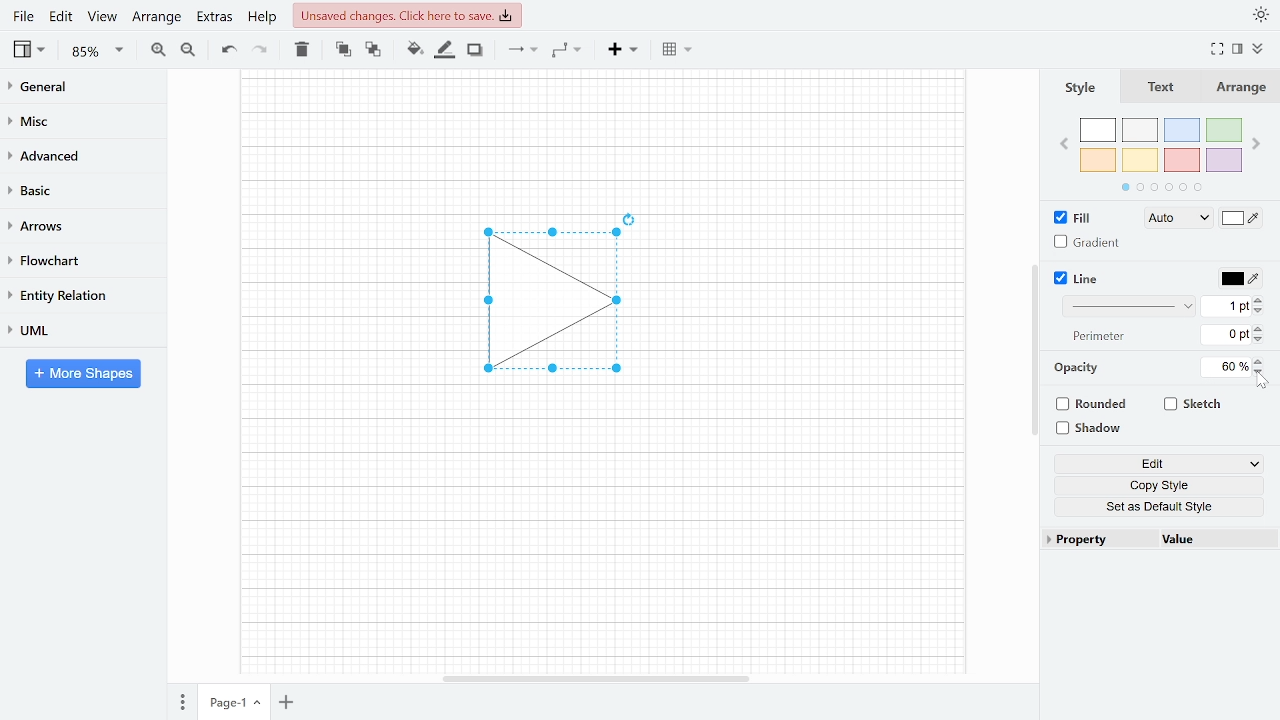 Image resolution: width=1280 pixels, height=720 pixels. Describe the element at coordinates (1063, 142) in the screenshot. I see `Previous` at that location.